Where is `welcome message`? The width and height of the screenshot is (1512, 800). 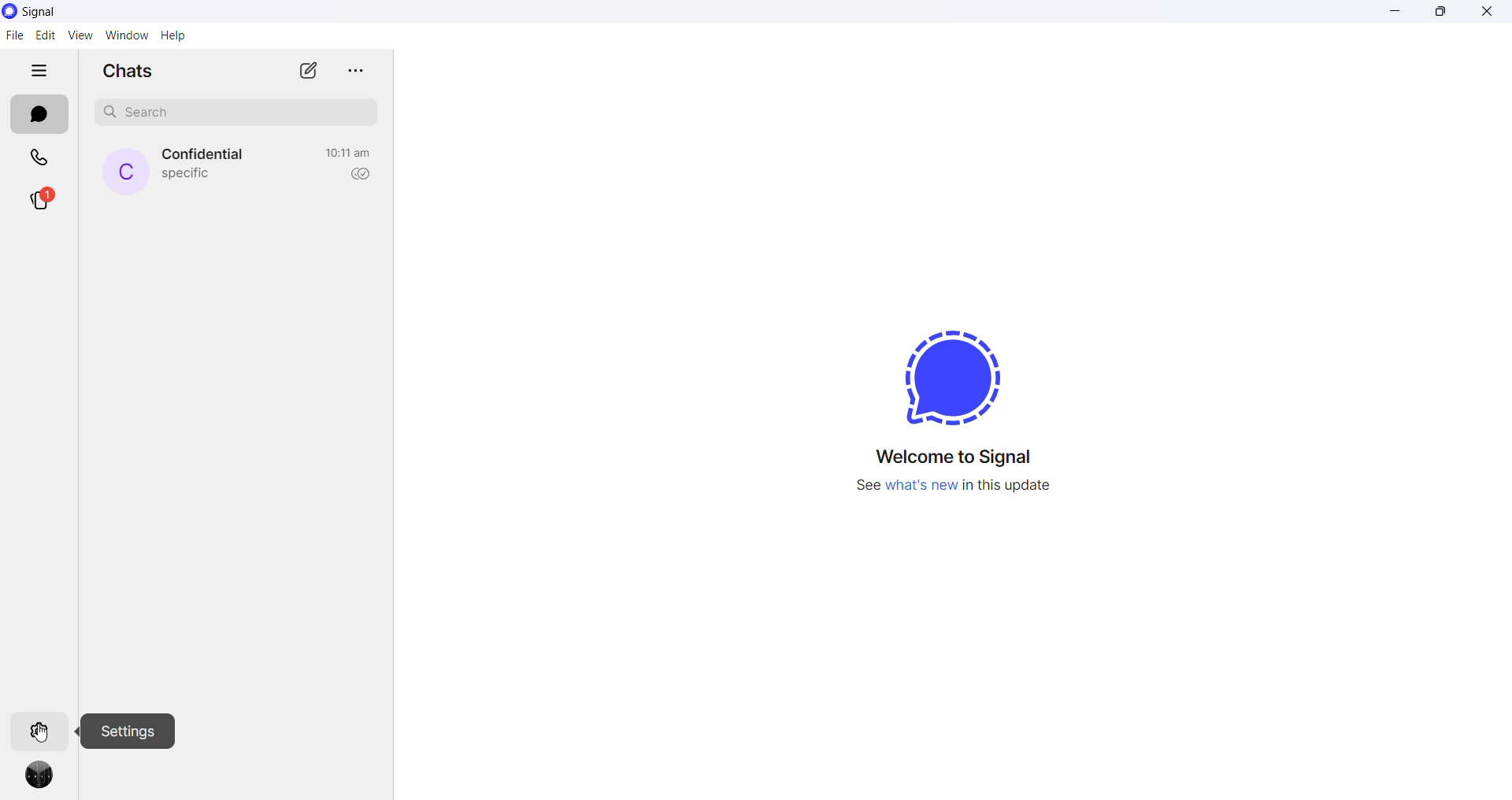 welcome message is located at coordinates (958, 456).